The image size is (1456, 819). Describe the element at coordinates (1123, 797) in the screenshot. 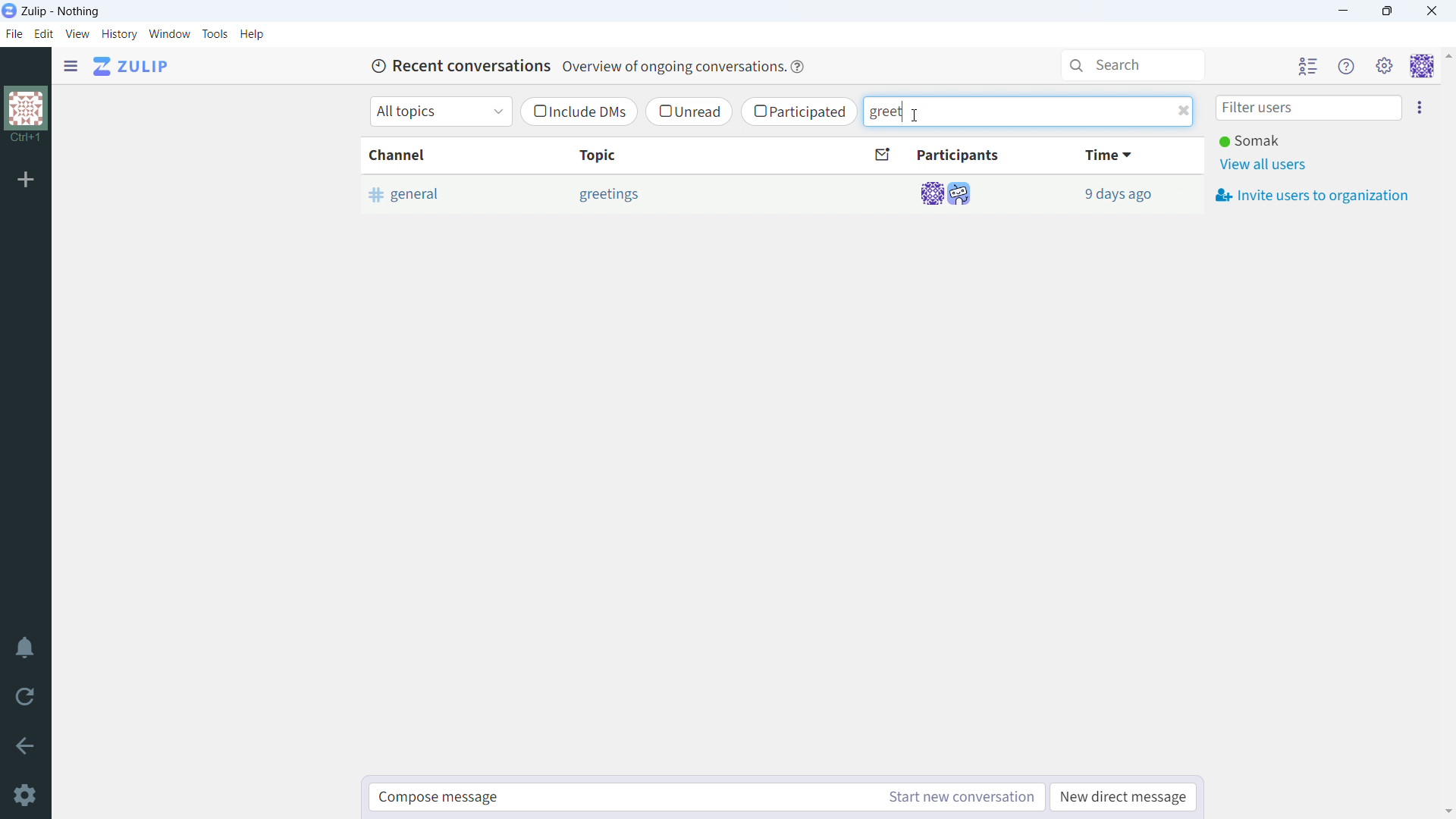

I see `new direct message` at that location.